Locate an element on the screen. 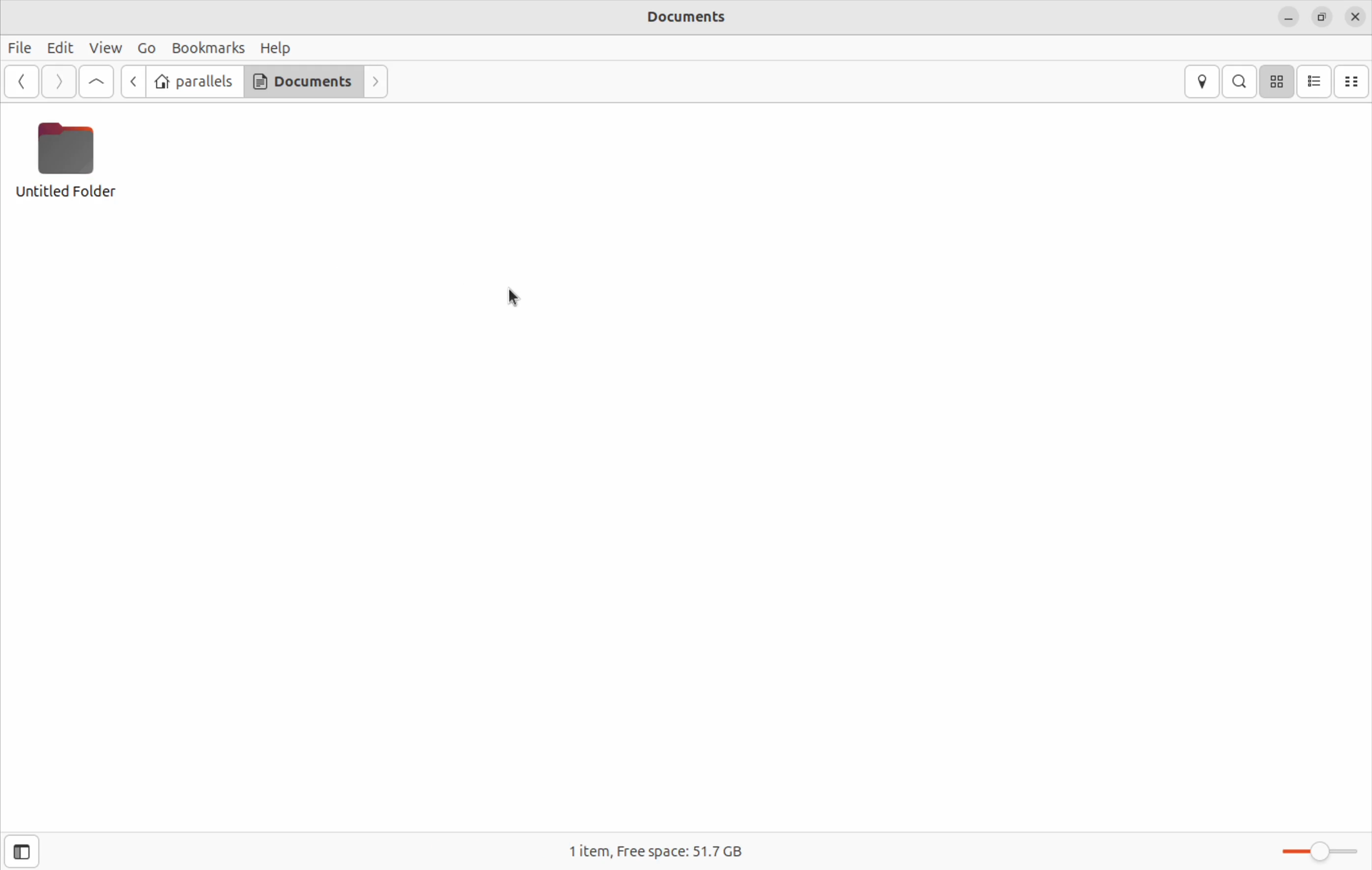  Show sidebar is located at coordinates (19, 851).